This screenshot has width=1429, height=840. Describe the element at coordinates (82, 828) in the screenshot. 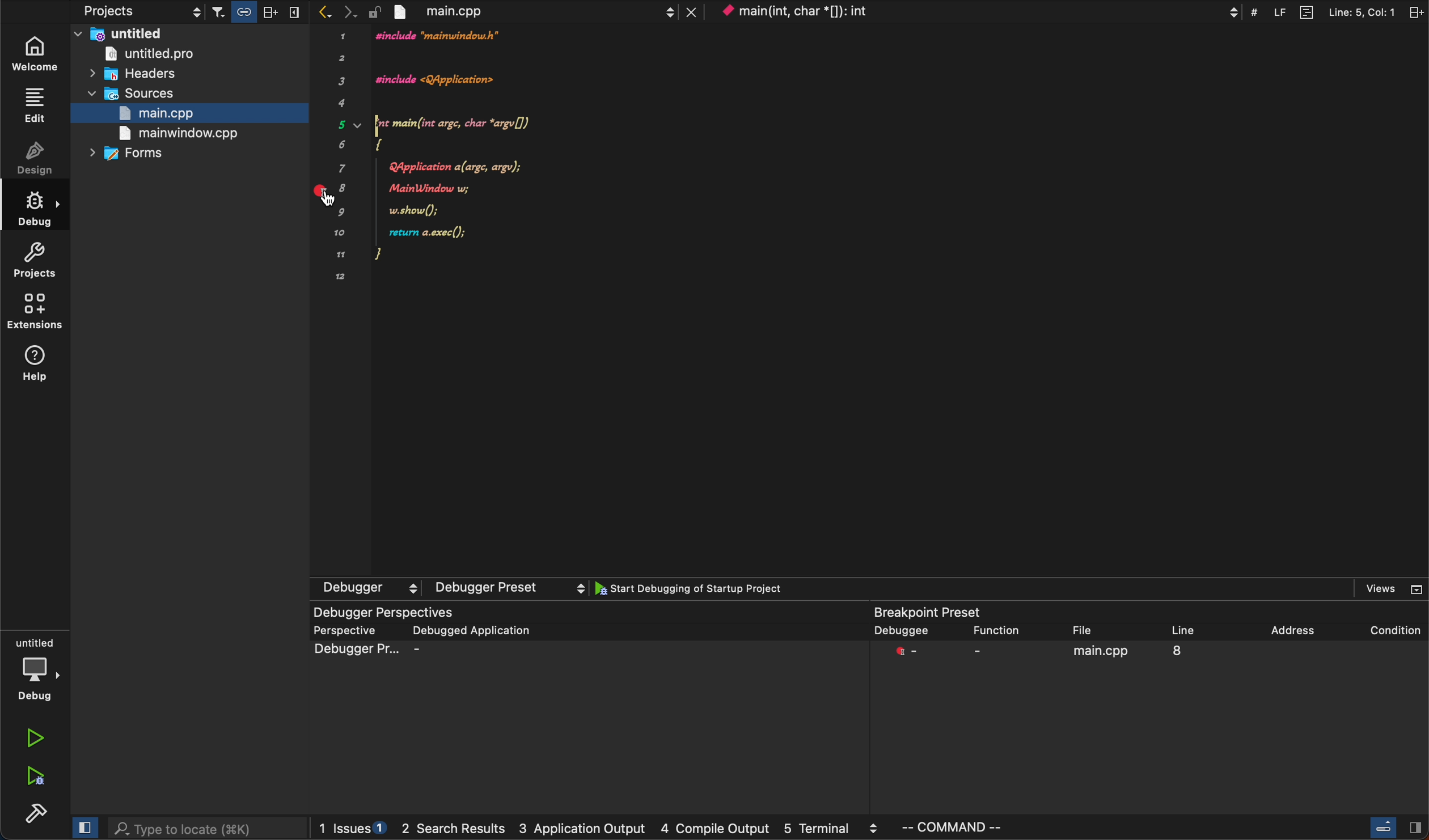

I see `close slidebar` at that location.